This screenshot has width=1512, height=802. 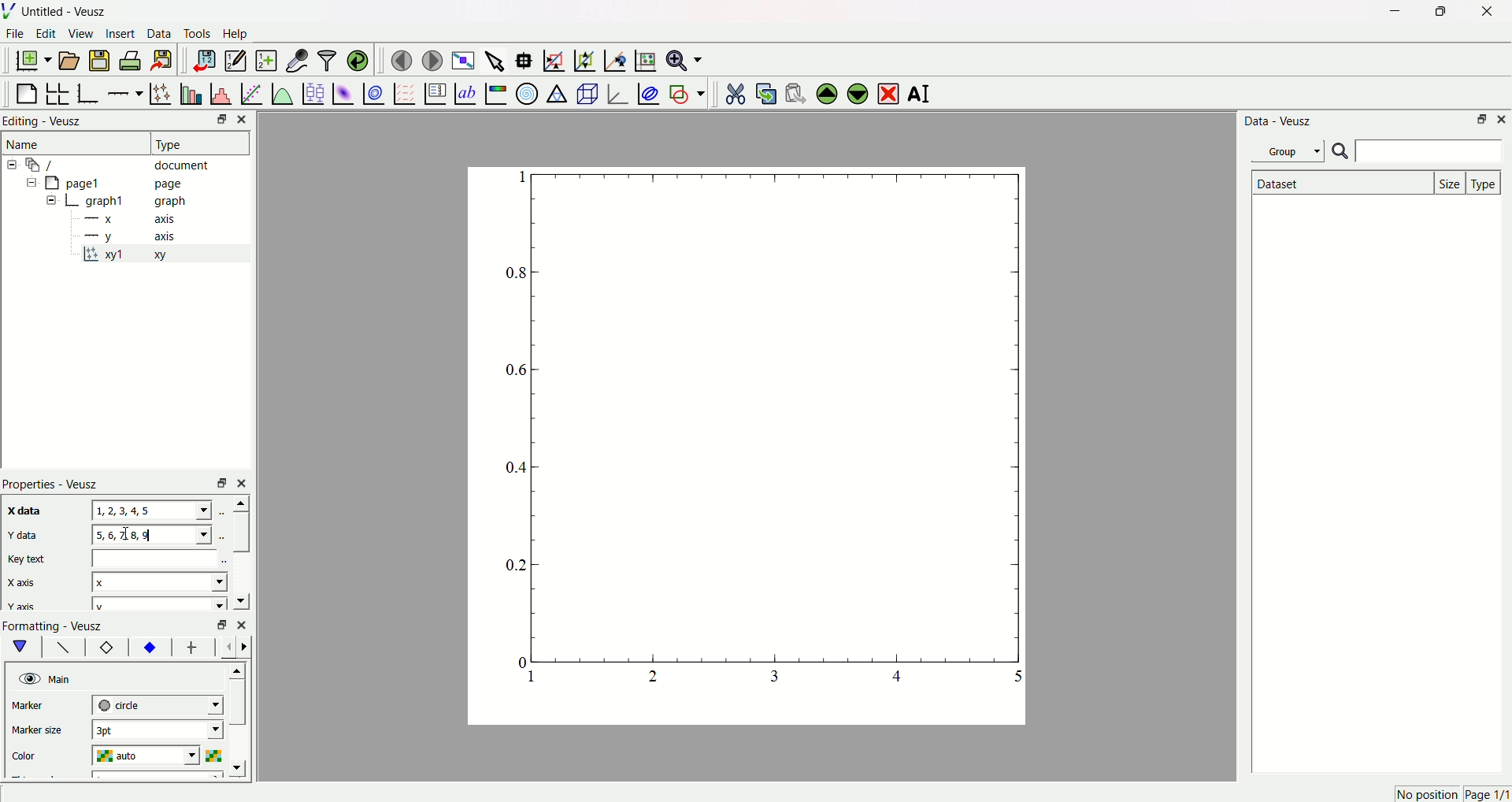 I want to click on remove the widgets, so click(x=888, y=92).